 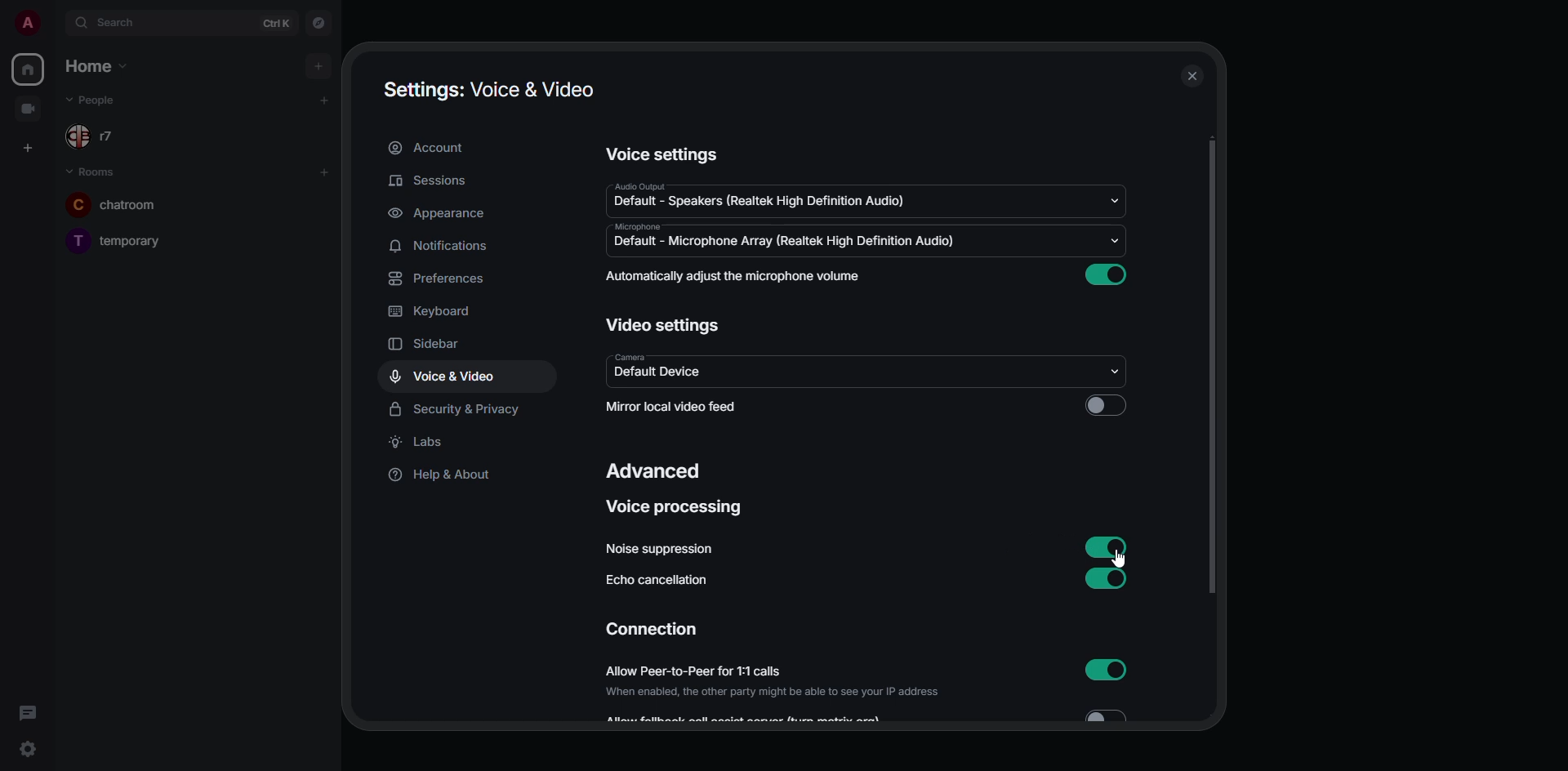 I want to click on keyboard, so click(x=434, y=311).